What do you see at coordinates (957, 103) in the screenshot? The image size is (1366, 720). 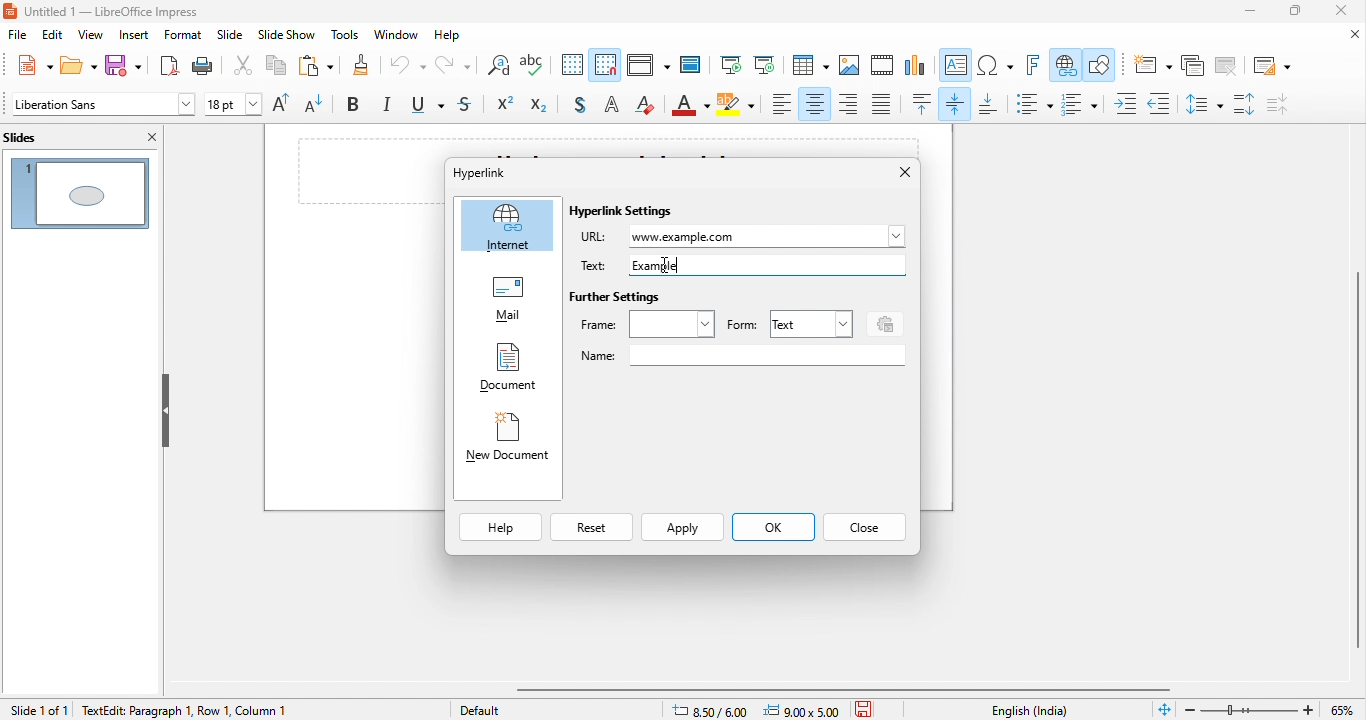 I see `align vertically` at bounding box center [957, 103].